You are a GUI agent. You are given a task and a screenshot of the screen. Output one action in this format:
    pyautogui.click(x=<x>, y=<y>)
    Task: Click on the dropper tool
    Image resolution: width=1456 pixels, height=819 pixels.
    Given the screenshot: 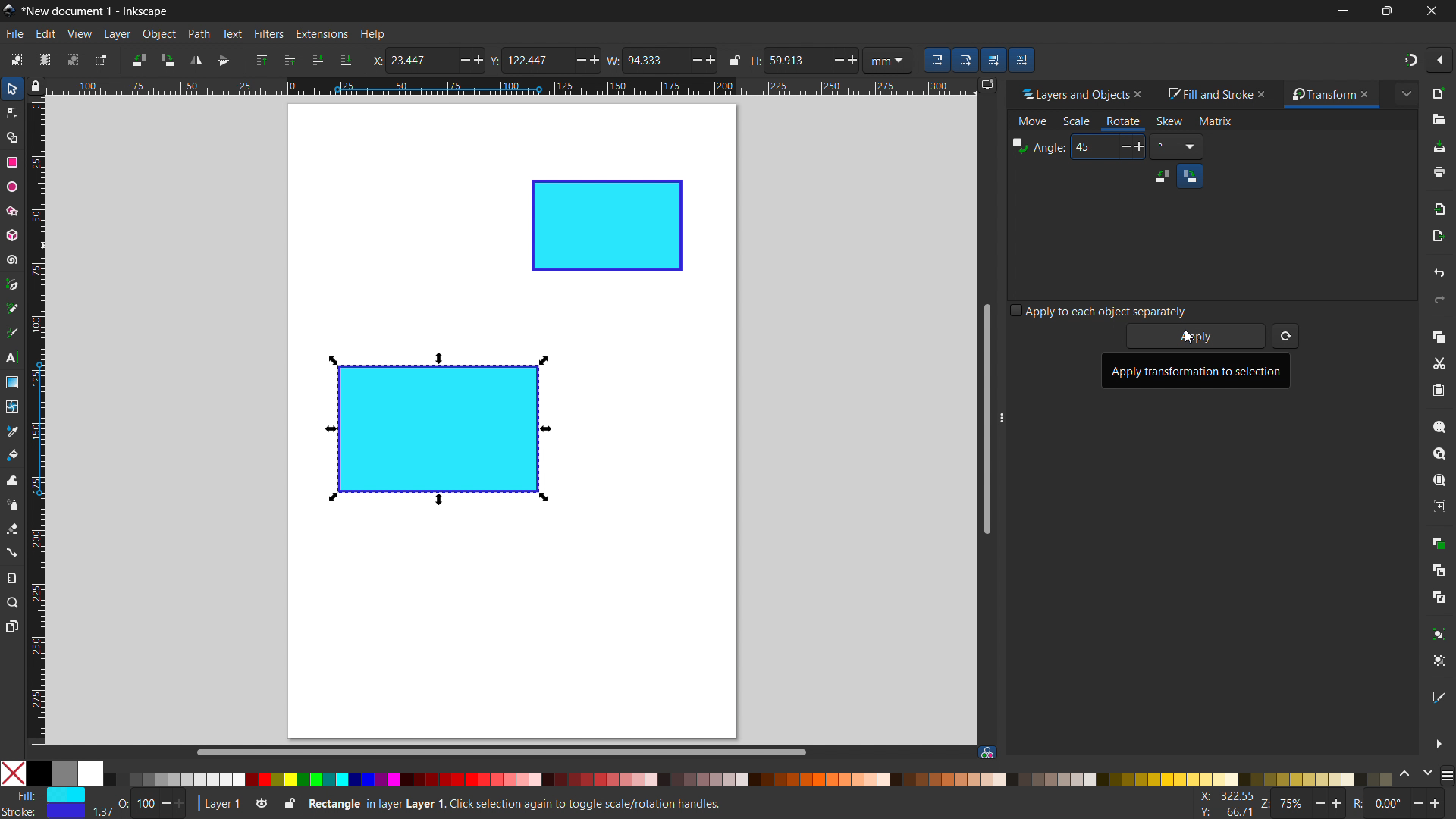 What is the action you would take?
    pyautogui.click(x=12, y=431)
    